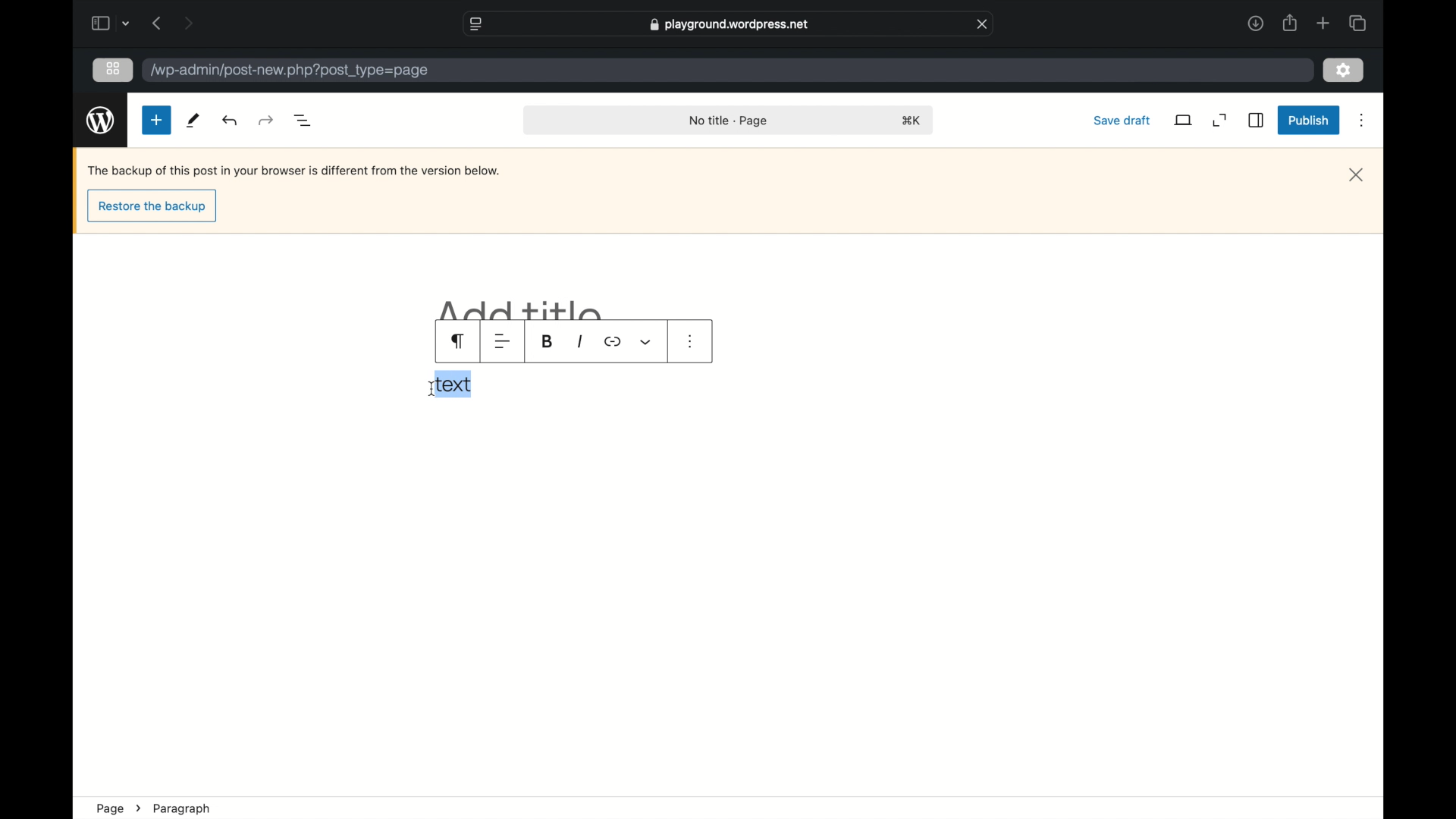  I want to click on restore the backup, so click(152, 208).